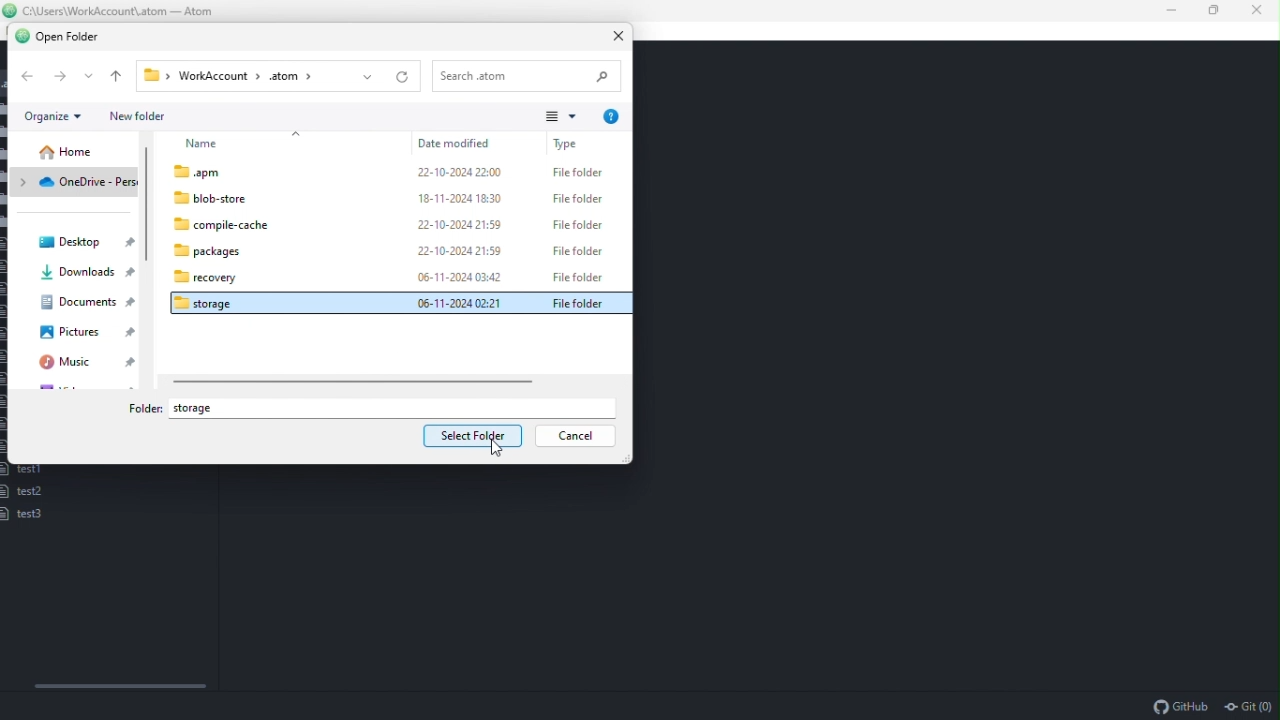  What do you see at coordinates (621, 37) in the screenshot?
I see `Close` at bounding box center [621, 37].